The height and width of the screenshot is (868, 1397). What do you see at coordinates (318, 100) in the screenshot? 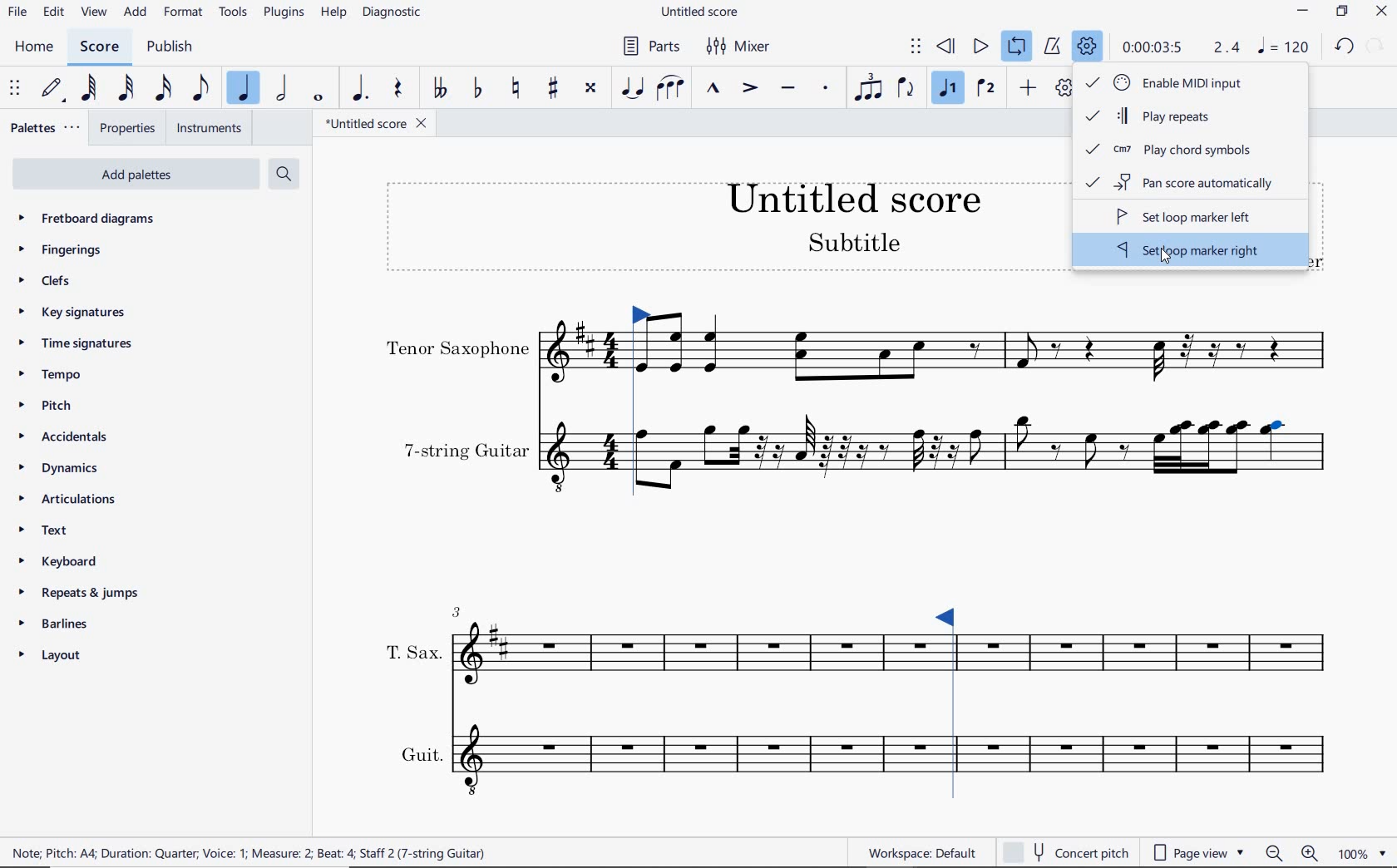
I see `WHOLE NOTE` at bounding box center [318, 100].